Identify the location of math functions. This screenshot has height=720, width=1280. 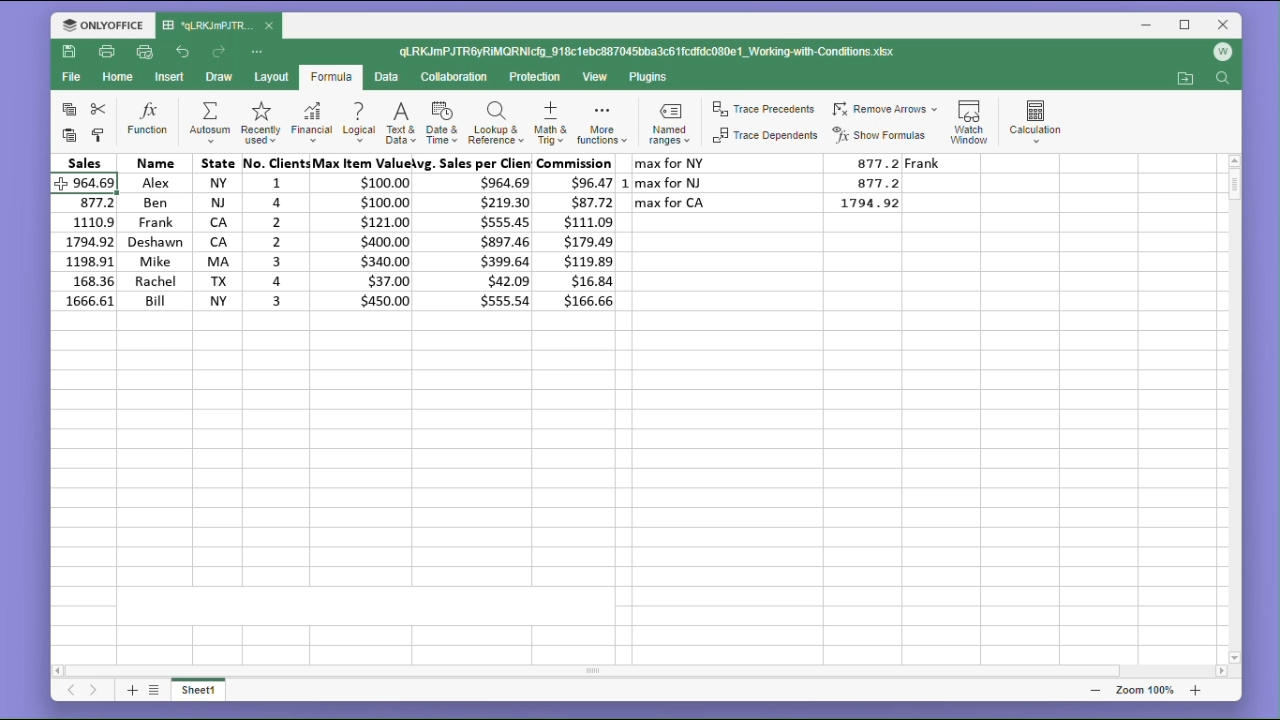
(601, 125).